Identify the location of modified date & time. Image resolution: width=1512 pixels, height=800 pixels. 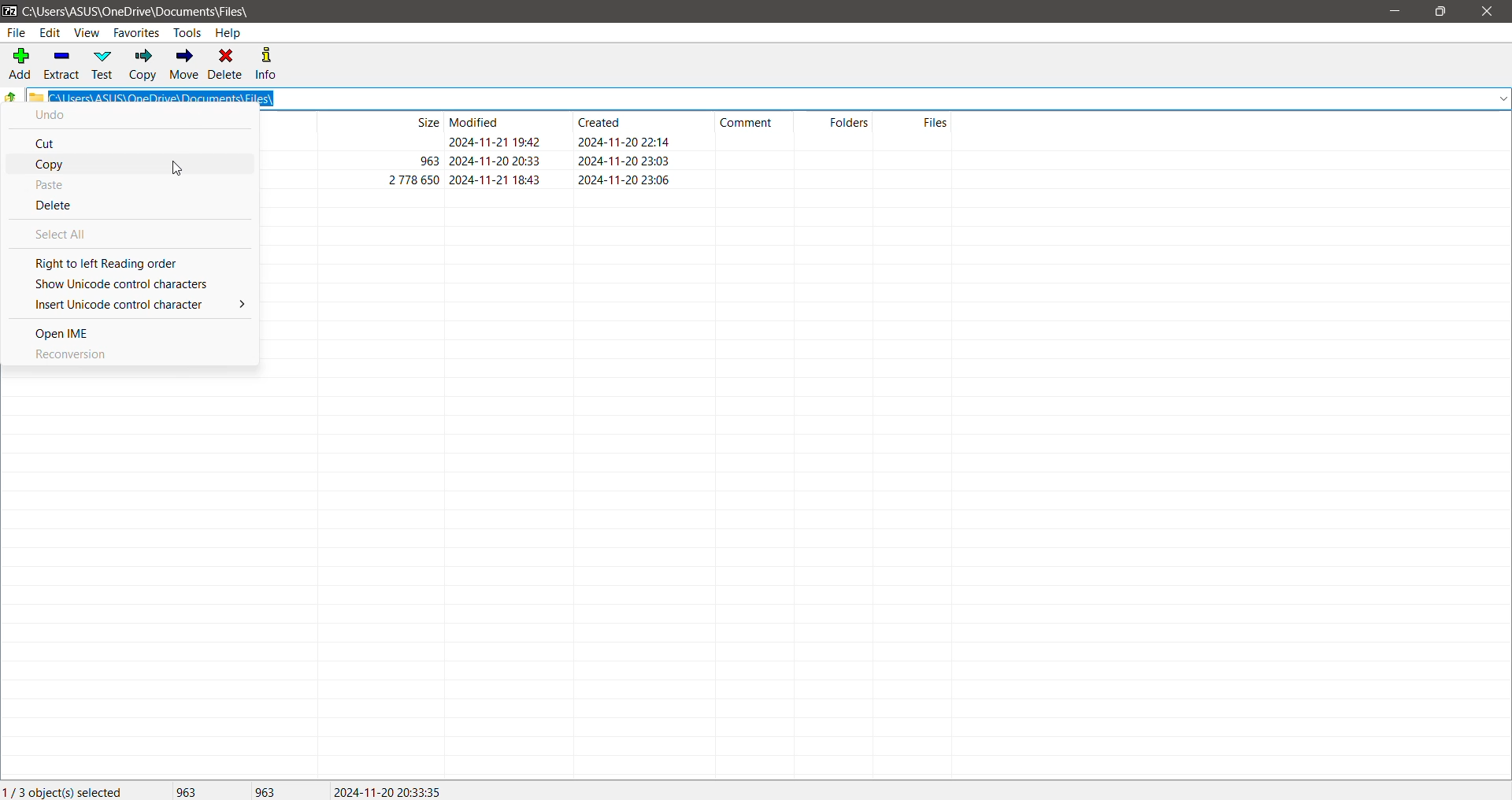
(495, 180).